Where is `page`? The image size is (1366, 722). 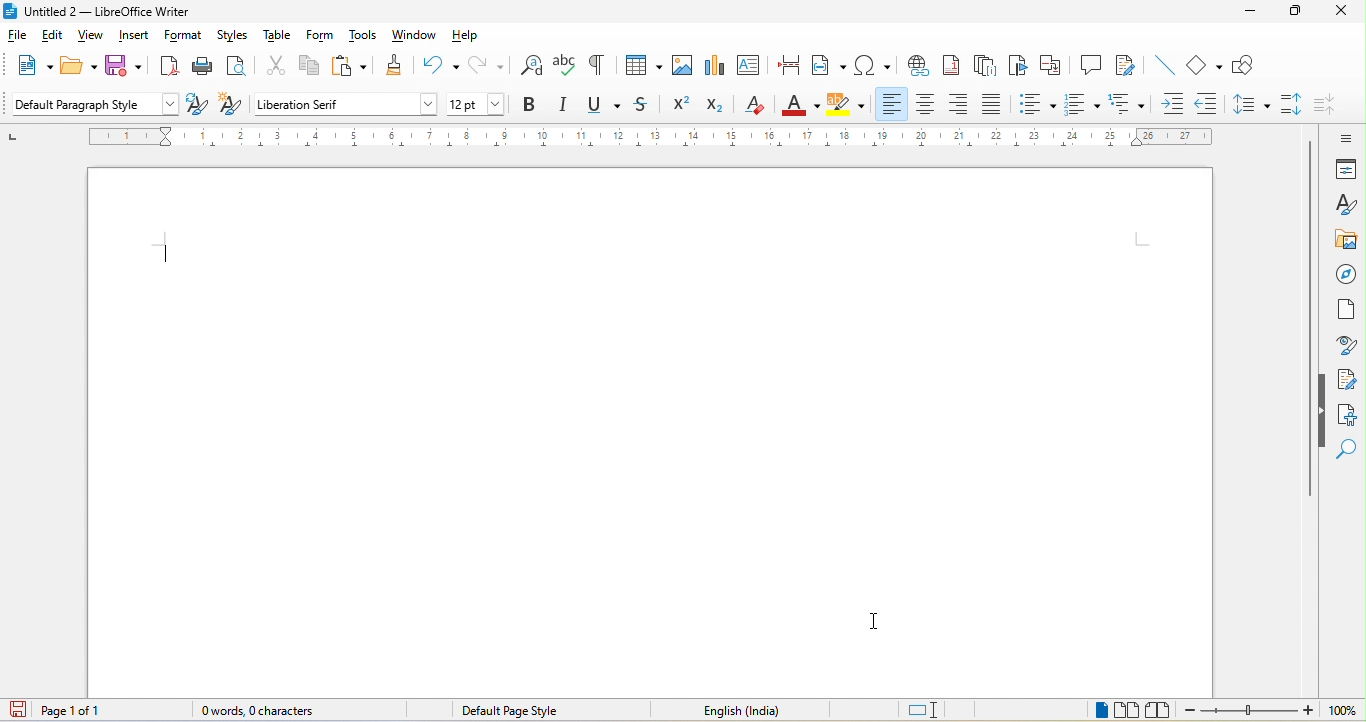 page is located at coordinates (1347, 316).